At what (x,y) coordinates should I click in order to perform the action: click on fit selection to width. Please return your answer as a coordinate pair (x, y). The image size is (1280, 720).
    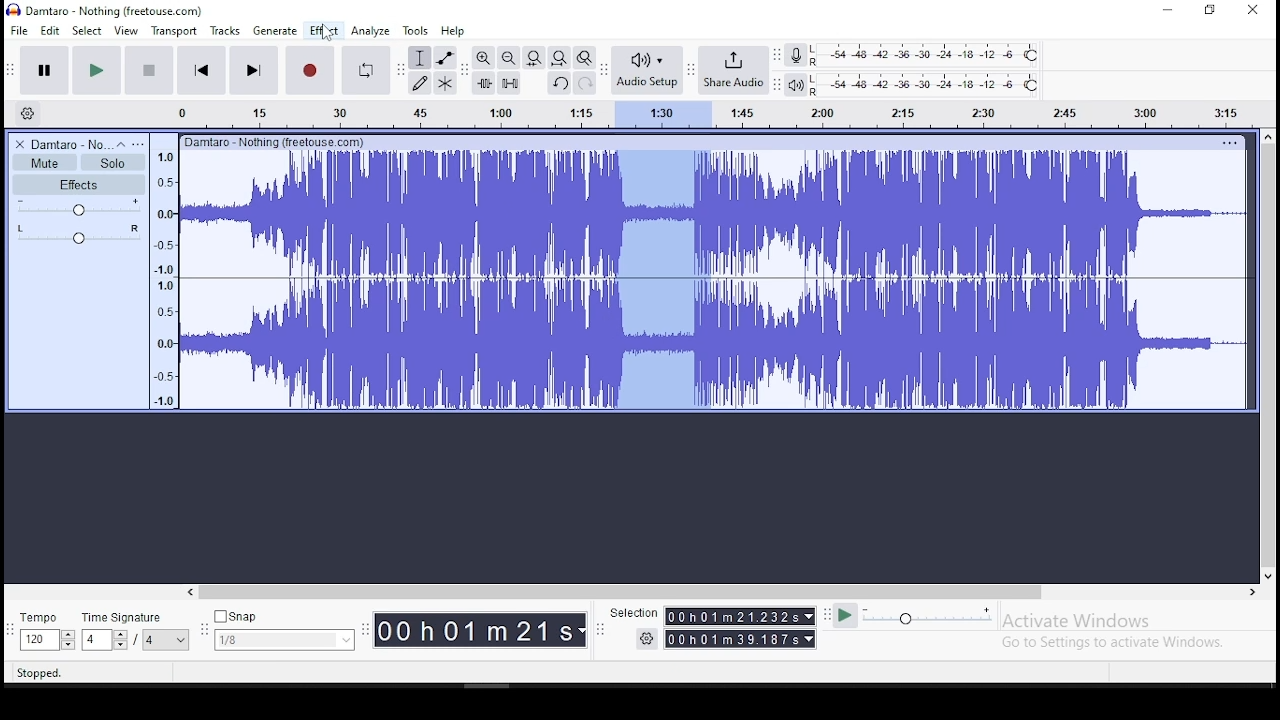
    Looking at the image, I should click on (533, 56).